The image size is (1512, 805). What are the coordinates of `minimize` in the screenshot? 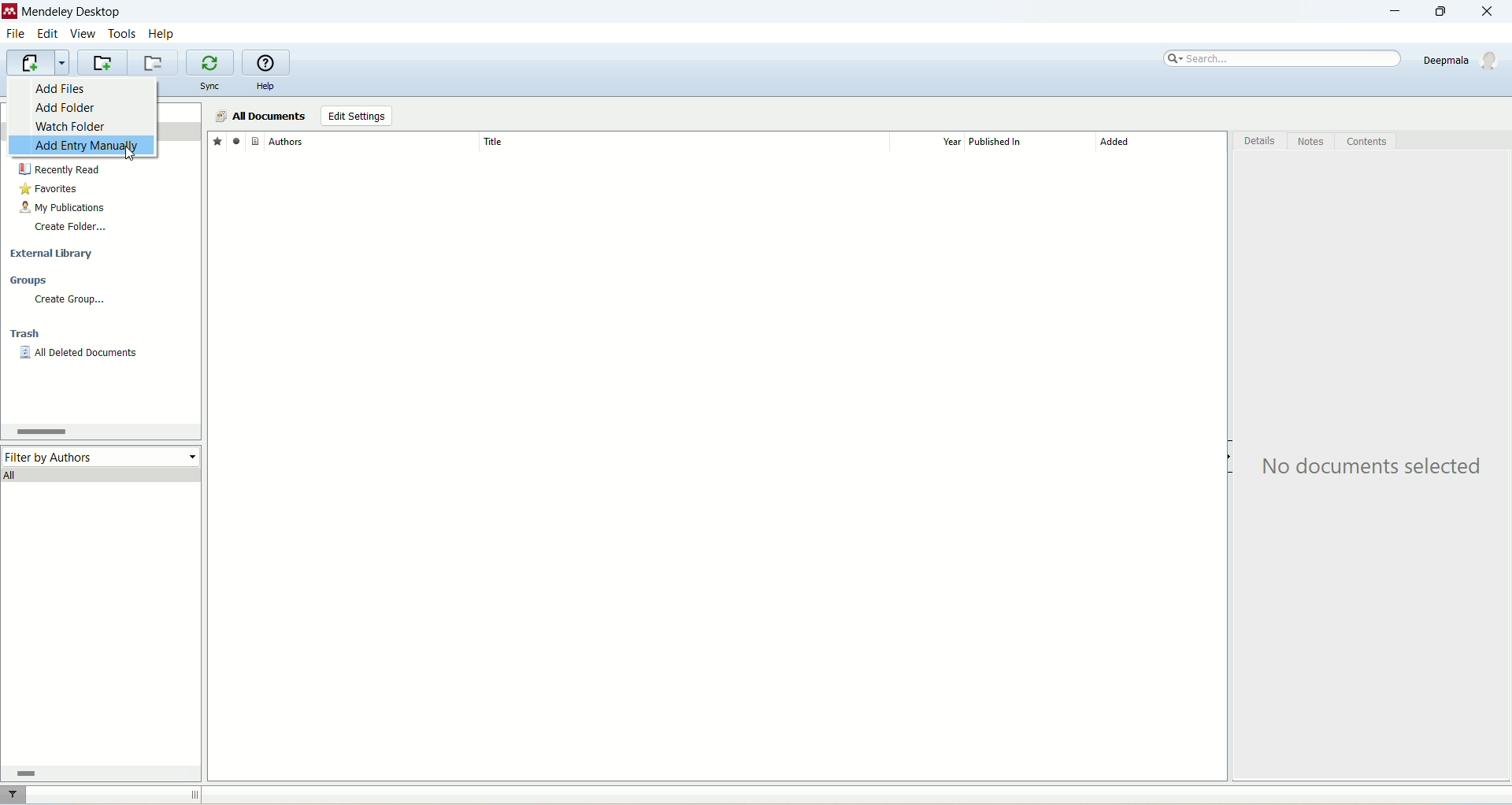 It's located at (1392, 12).